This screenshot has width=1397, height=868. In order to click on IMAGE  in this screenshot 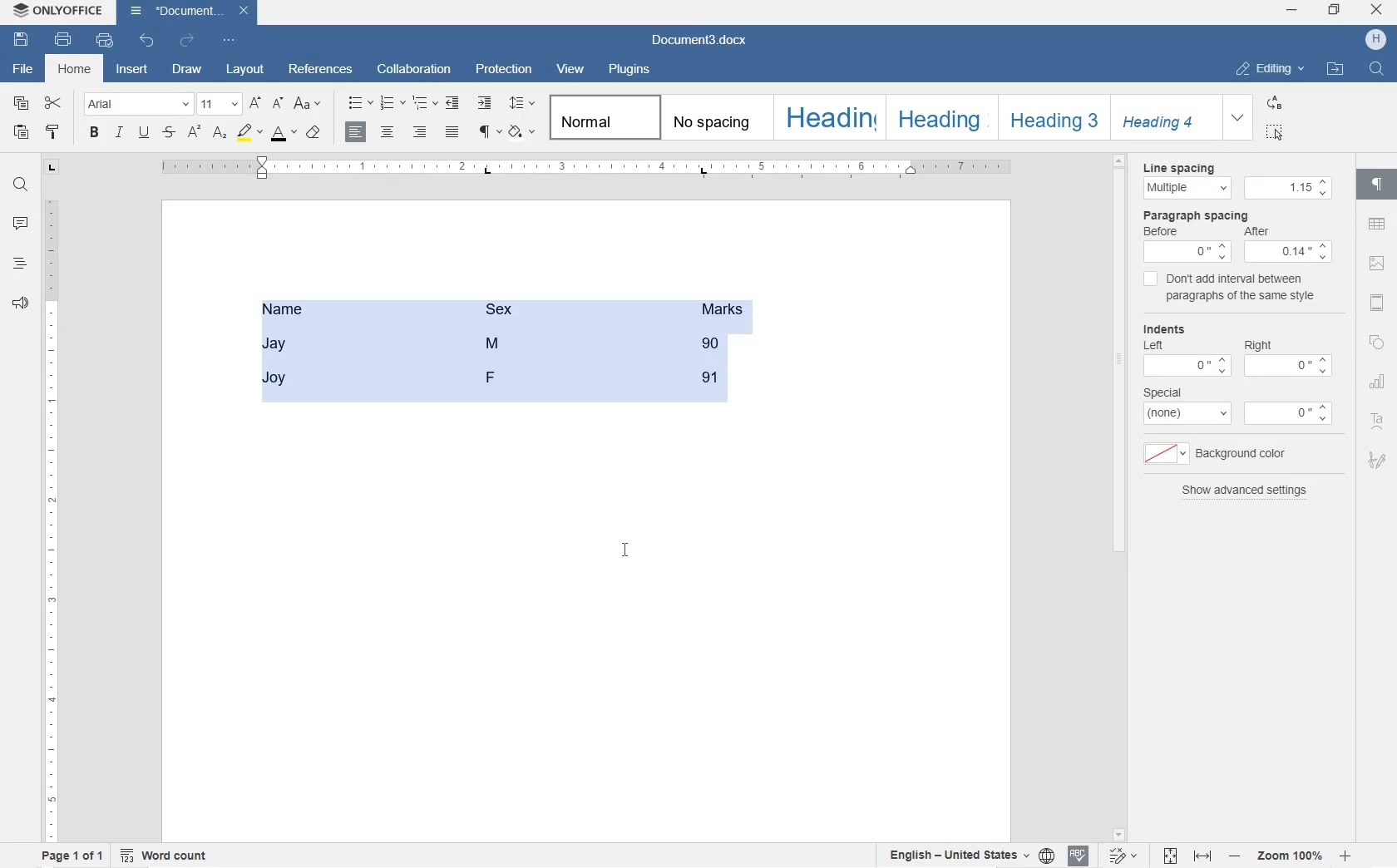, I will do `click(1375, 264)`.